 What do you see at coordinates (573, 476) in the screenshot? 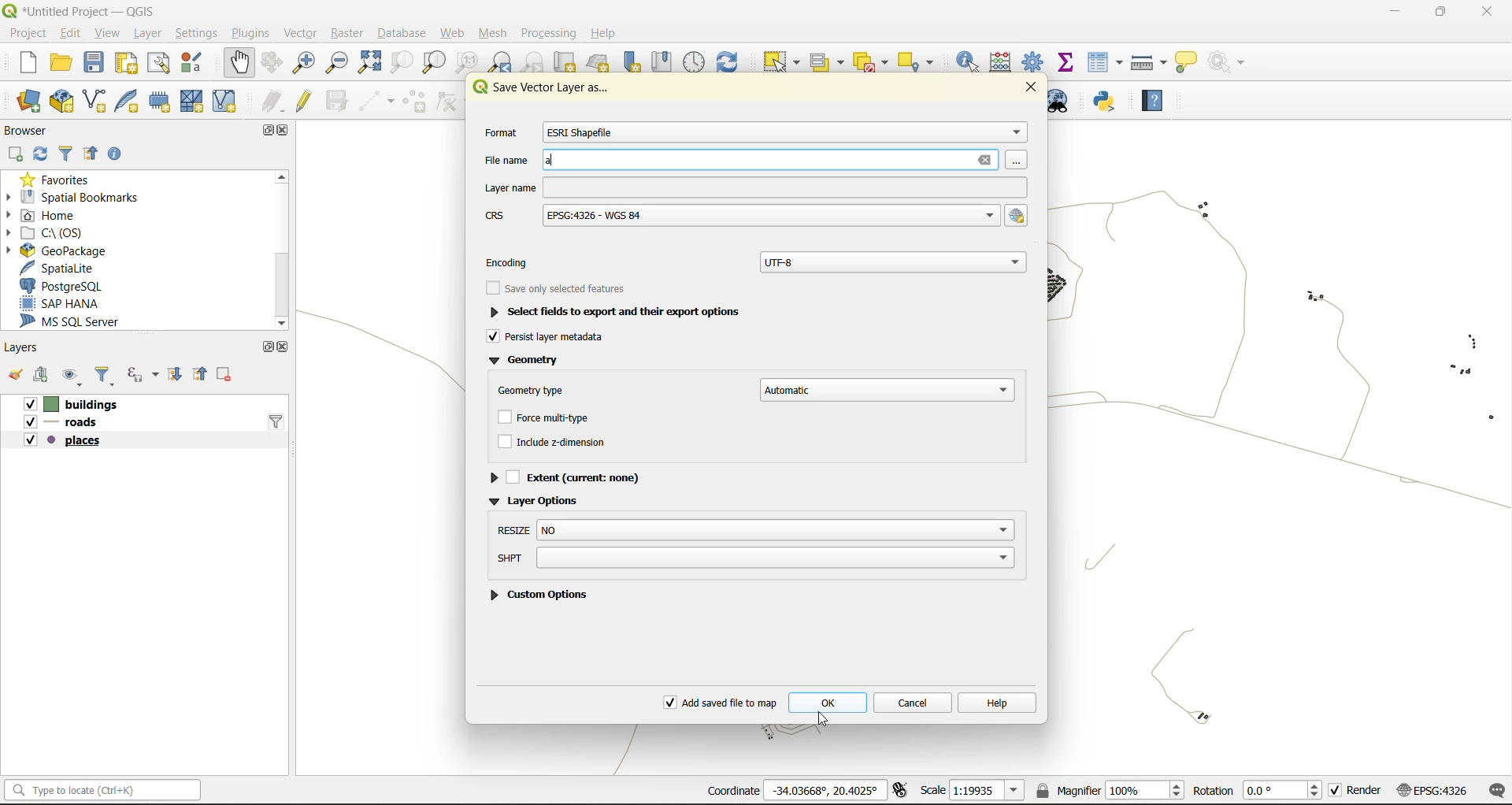
I see `Extent` at bounding box center [573, 476].